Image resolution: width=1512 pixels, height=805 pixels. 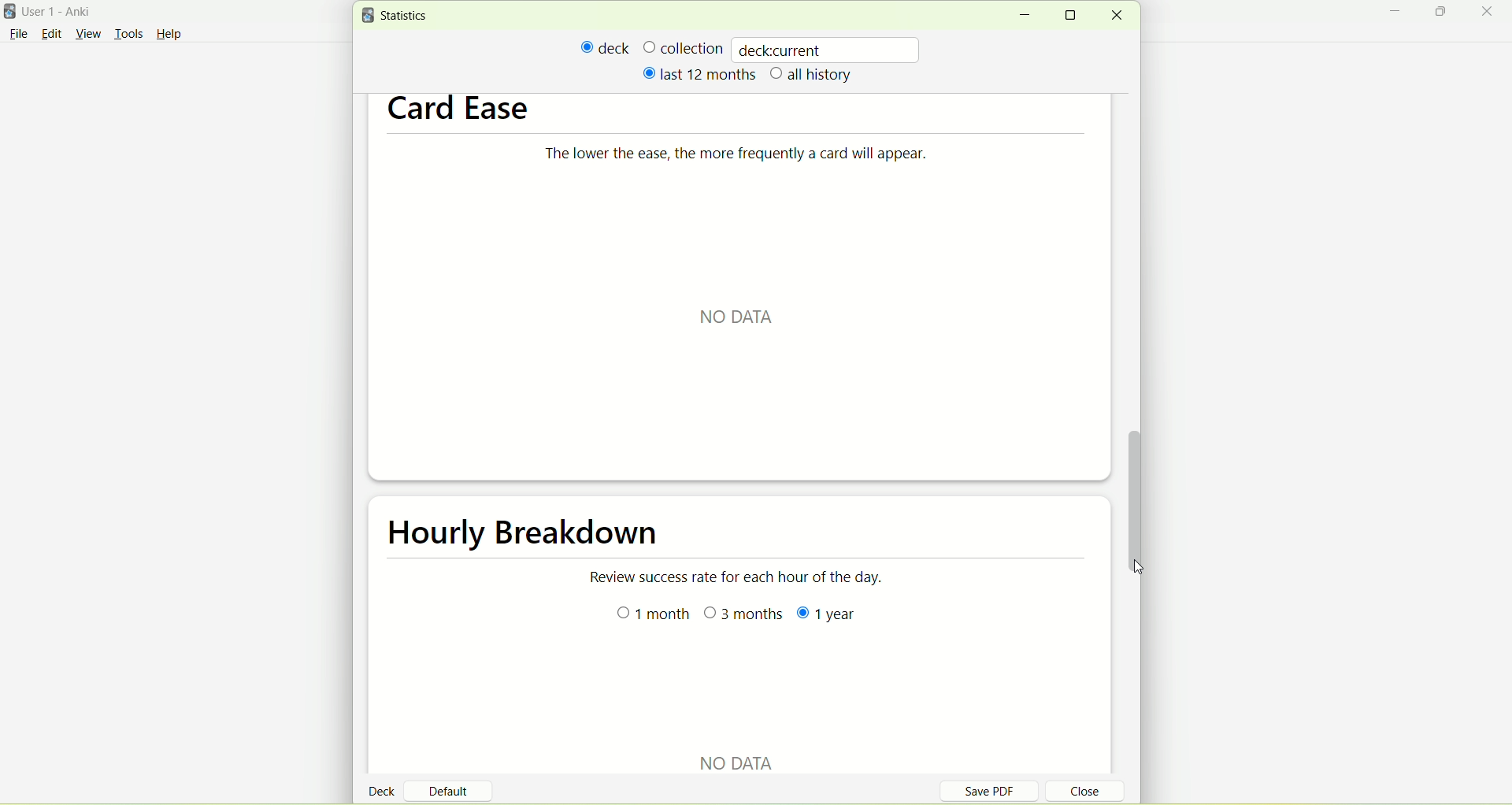 What do you see at coordinates (1443, 14) in the screenshot?
I see `maximize` at bounding box center [1443, 14].